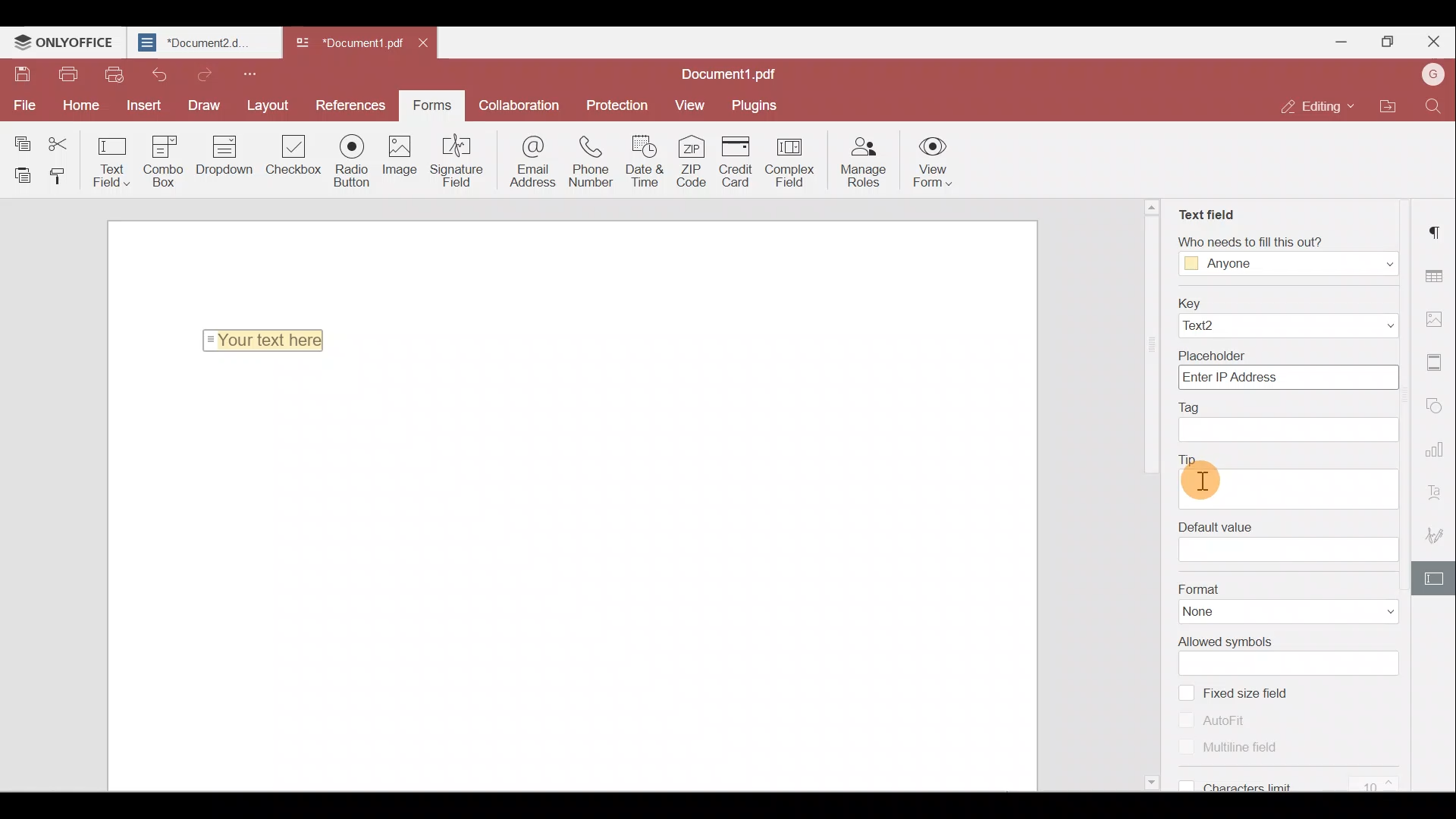 Image resolution: width=1456 pixels, height=819 pixels. I want to click on Allowed symbols field, so click(1297, 664).